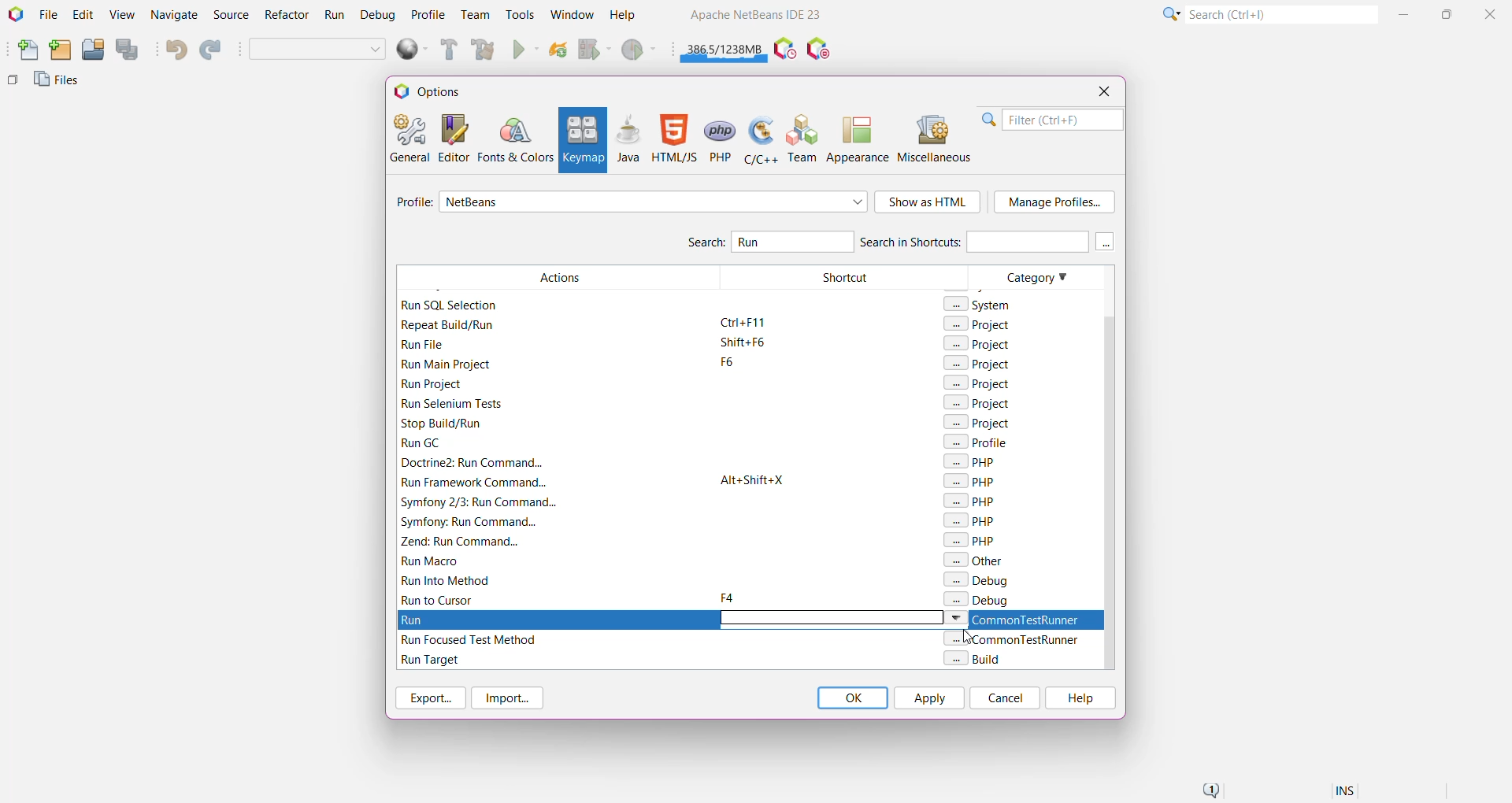 The width and height of the screenshot is (1512, 803). I want to click on Reload, so click(558, 51).